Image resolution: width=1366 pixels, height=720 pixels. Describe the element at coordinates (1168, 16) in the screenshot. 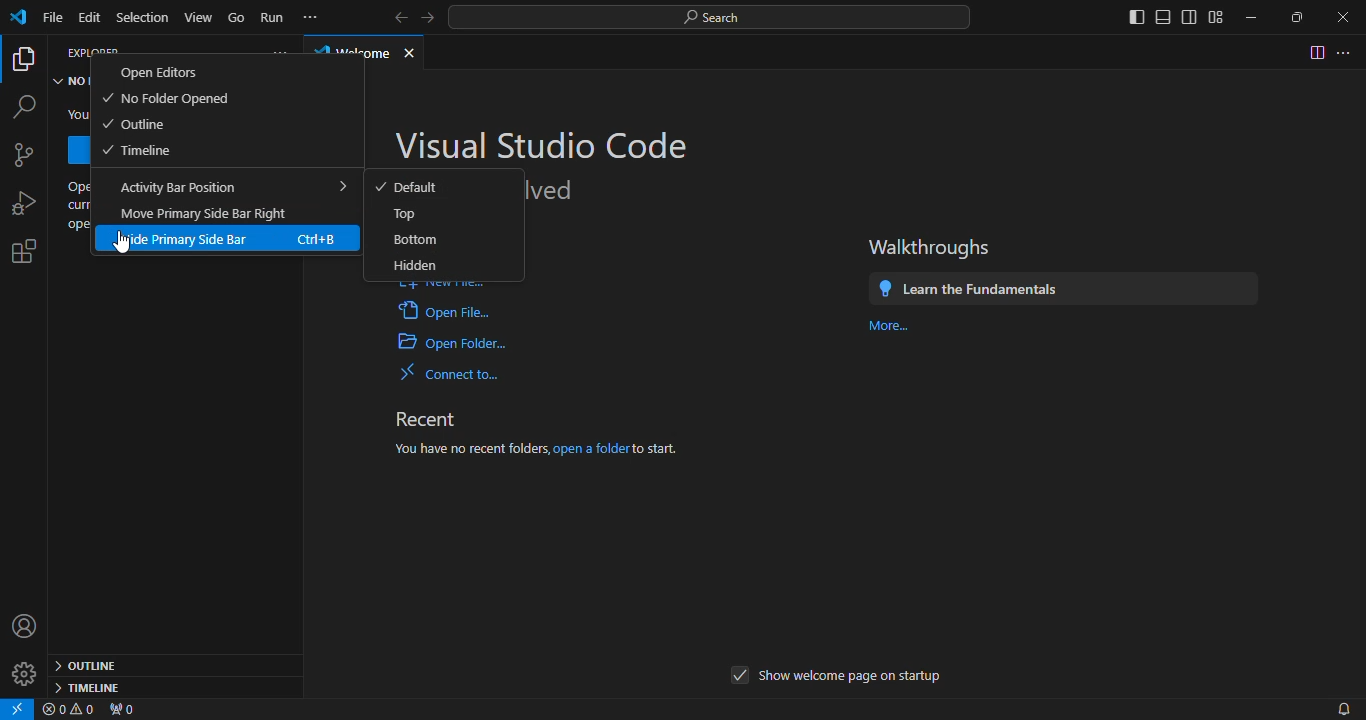

I see `move to sides` at that location.